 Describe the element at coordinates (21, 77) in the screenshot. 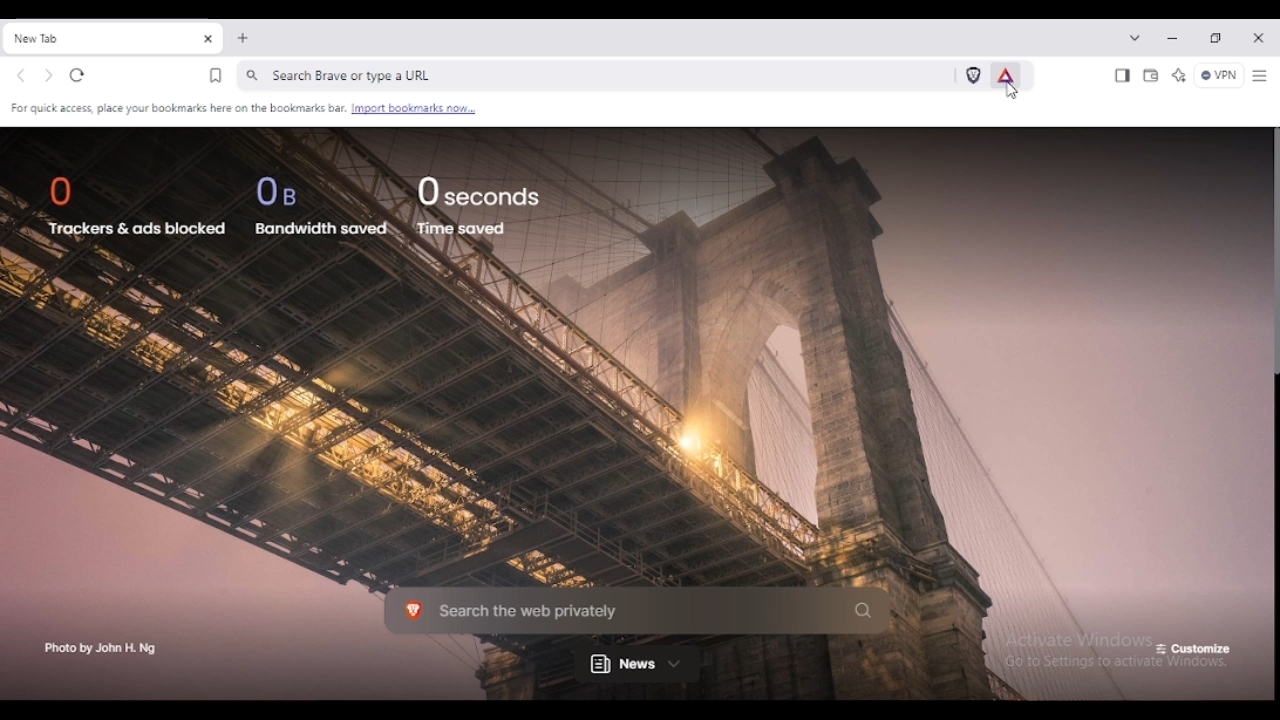

I see `go back` at that location.